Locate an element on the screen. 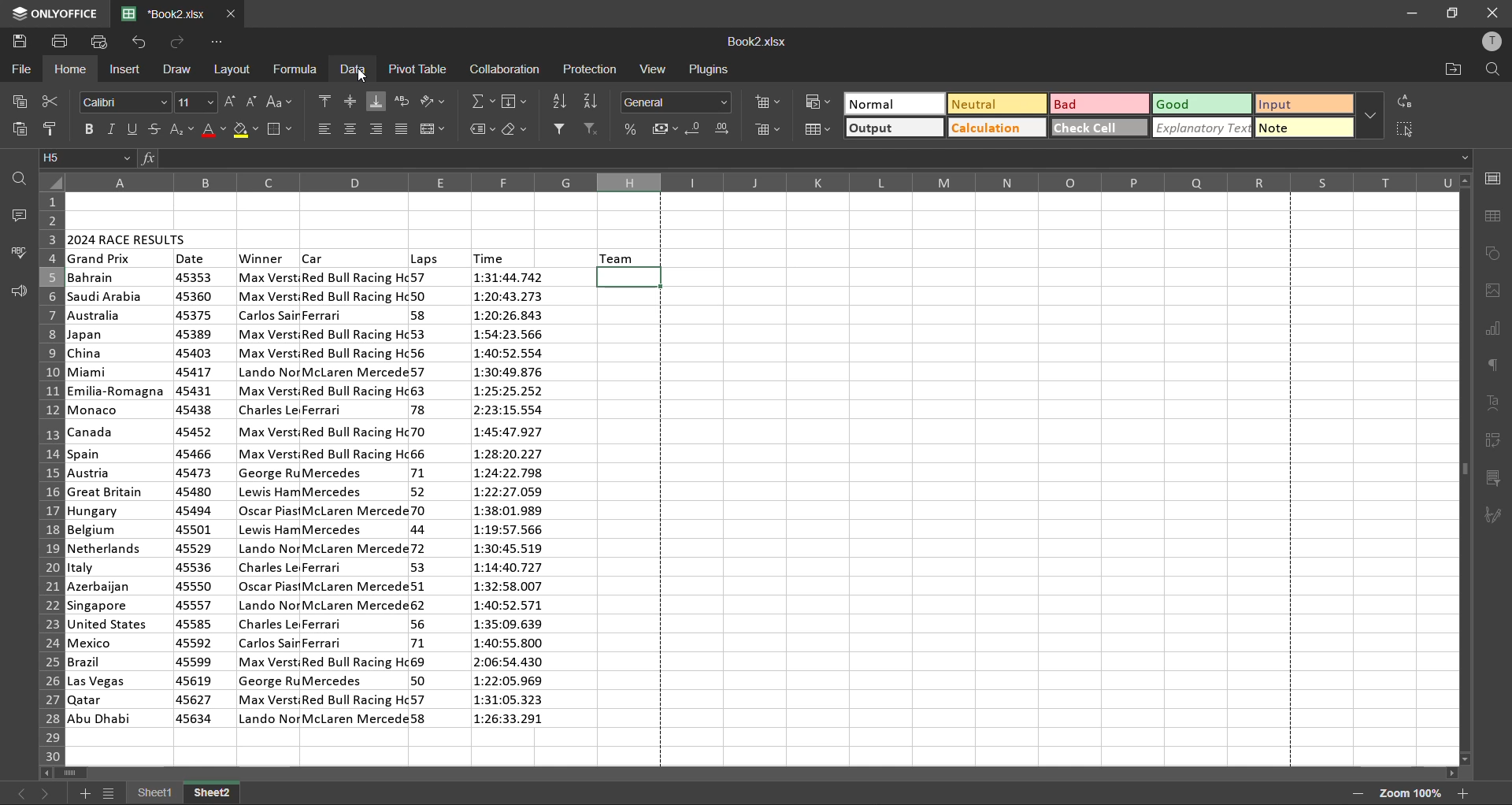 The width and height of the screenshot is (1512, 805). input is located at coordinates (1303, 103).